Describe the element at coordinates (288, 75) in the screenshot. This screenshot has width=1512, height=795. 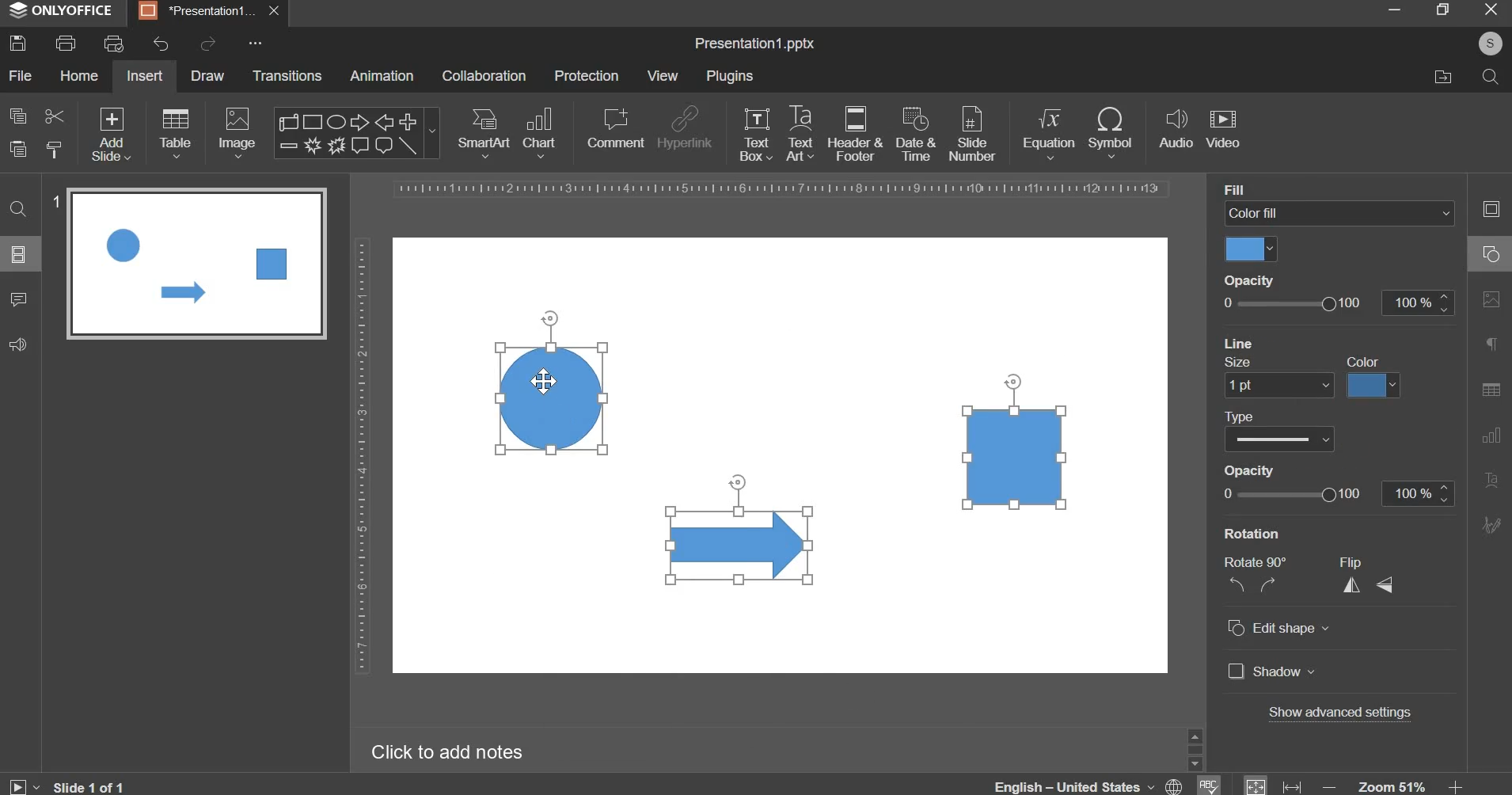
I see `transitions` at that location.